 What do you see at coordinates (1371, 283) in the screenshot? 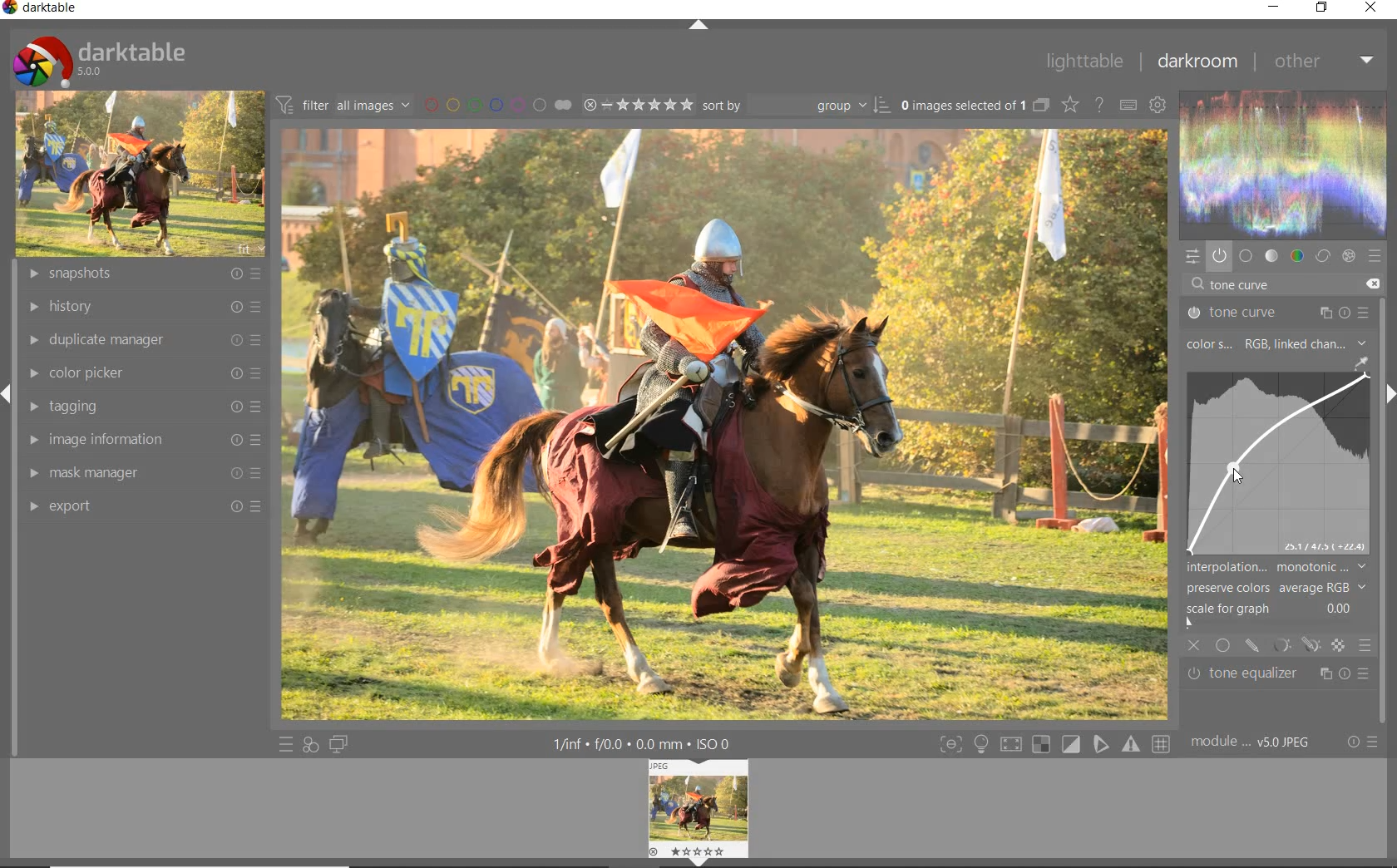
I see `delete` at bounding box center [1371, 283].